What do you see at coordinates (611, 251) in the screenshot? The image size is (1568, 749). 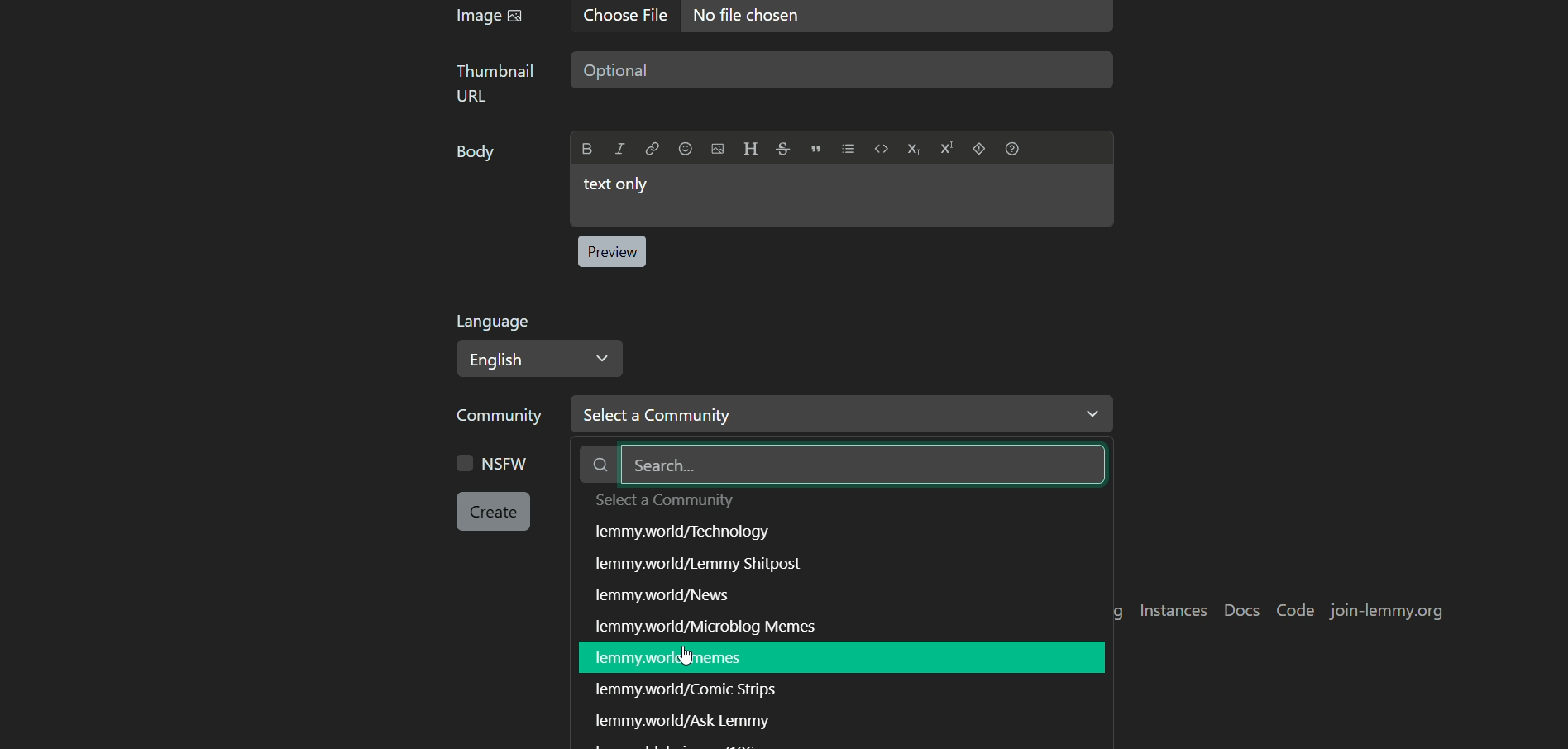 I see `preview` at bounding box center [611, 251].